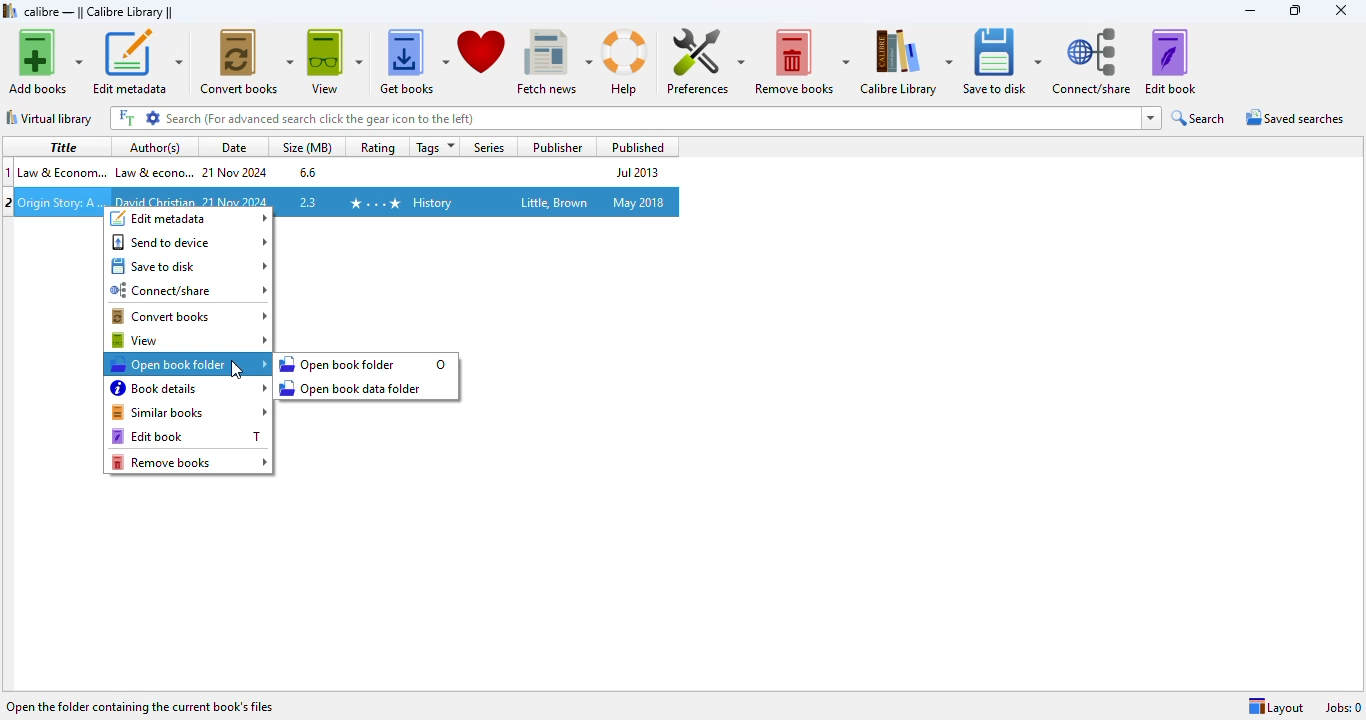 Image resolution: width=1366 pixels, height=720 pixels. Describe the element at coordinates (1344, 707) in the screenshot. I see `jobs: 0` at that location.